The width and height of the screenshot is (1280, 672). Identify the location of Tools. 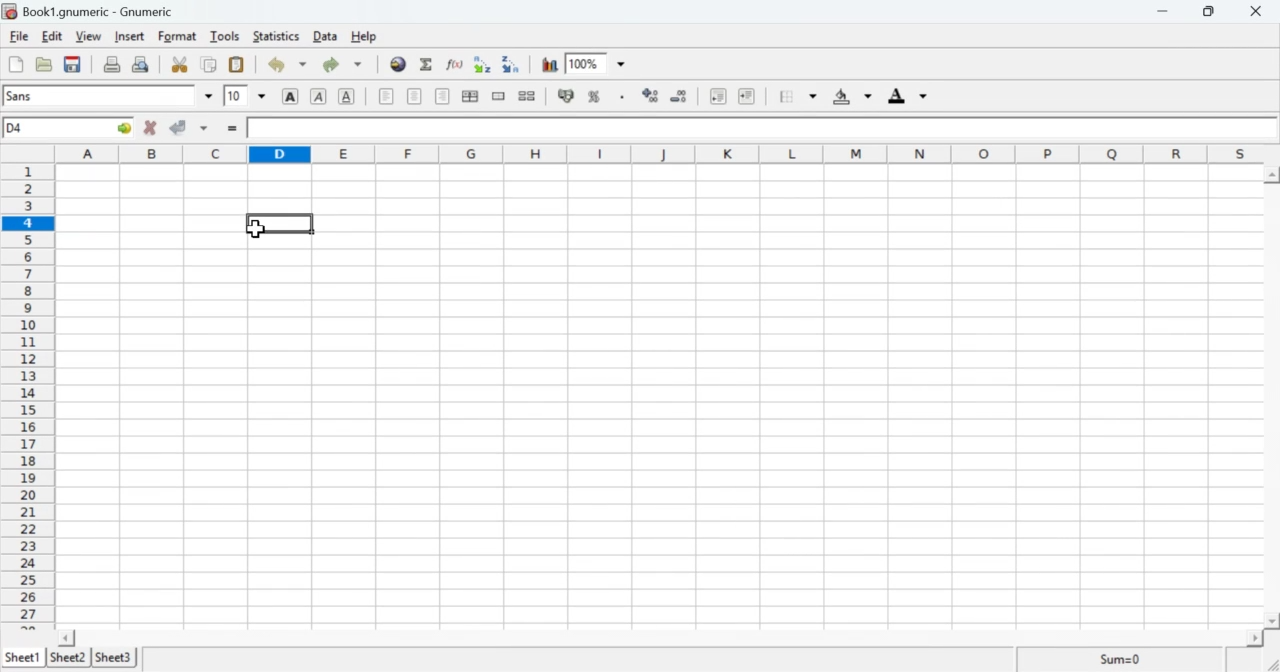
(225, 36).